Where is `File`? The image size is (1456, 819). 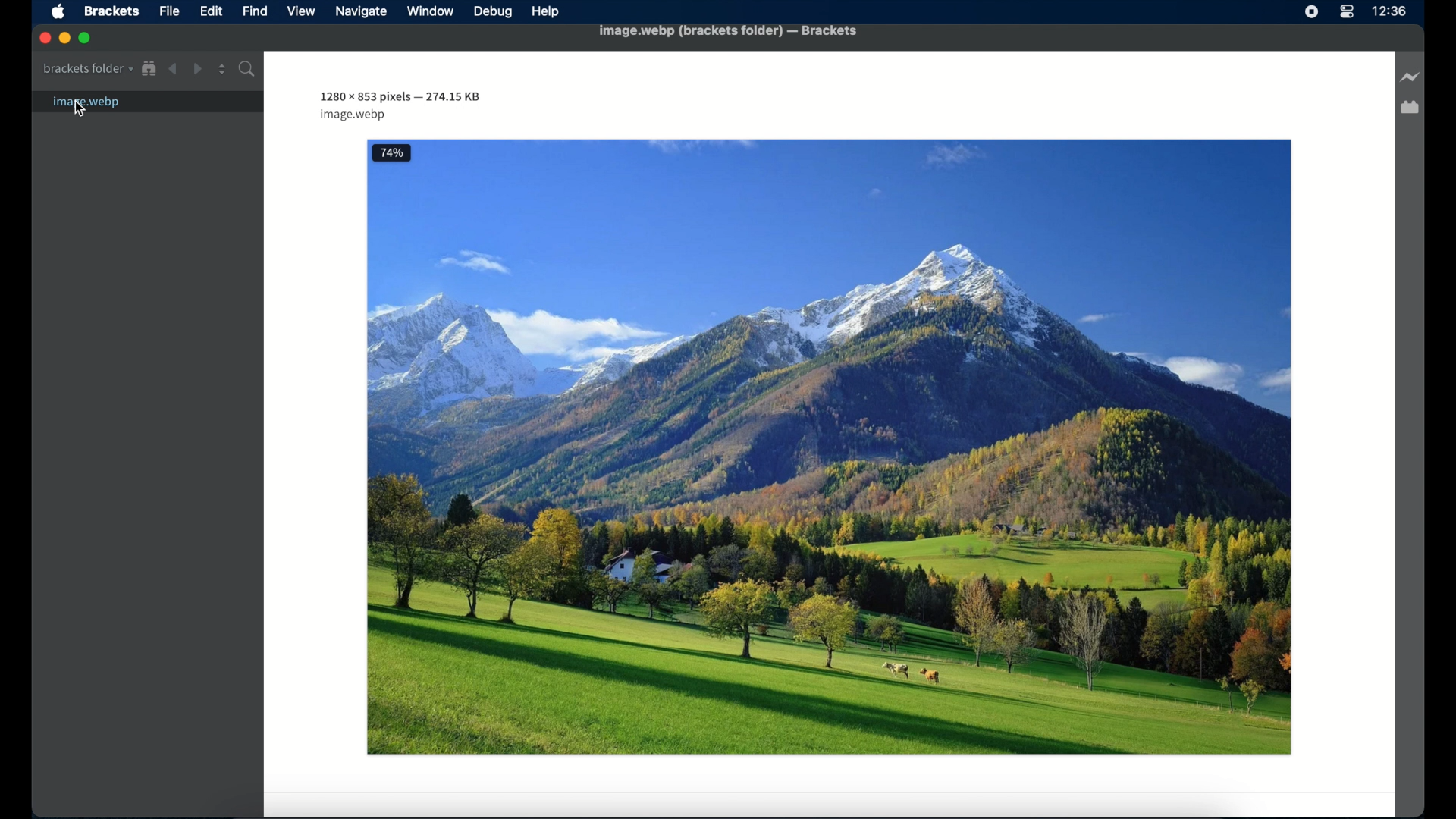
File is located at coordinates (173, 13).